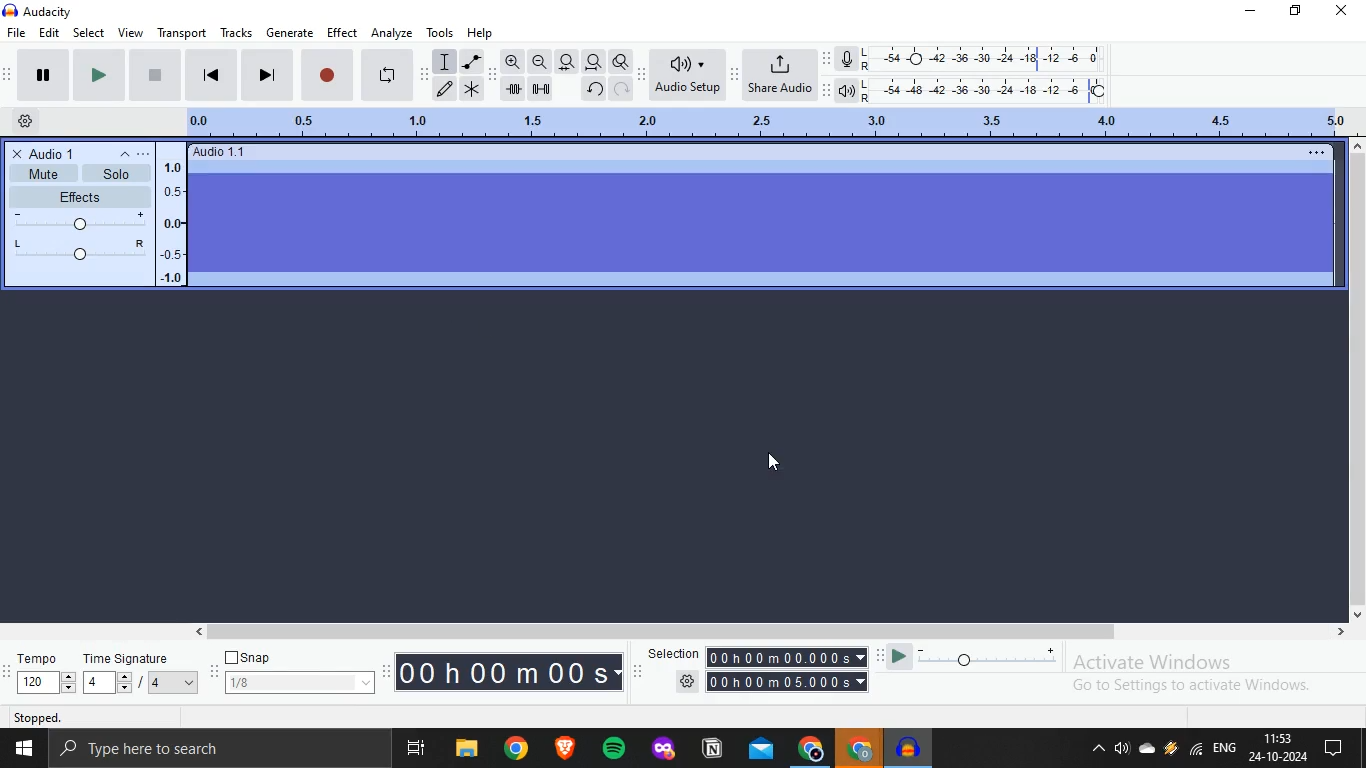  What do you see at coordinates (624, 60) in the screenshot?
I see `zoom Toogle` at bounding box center [624, 60].